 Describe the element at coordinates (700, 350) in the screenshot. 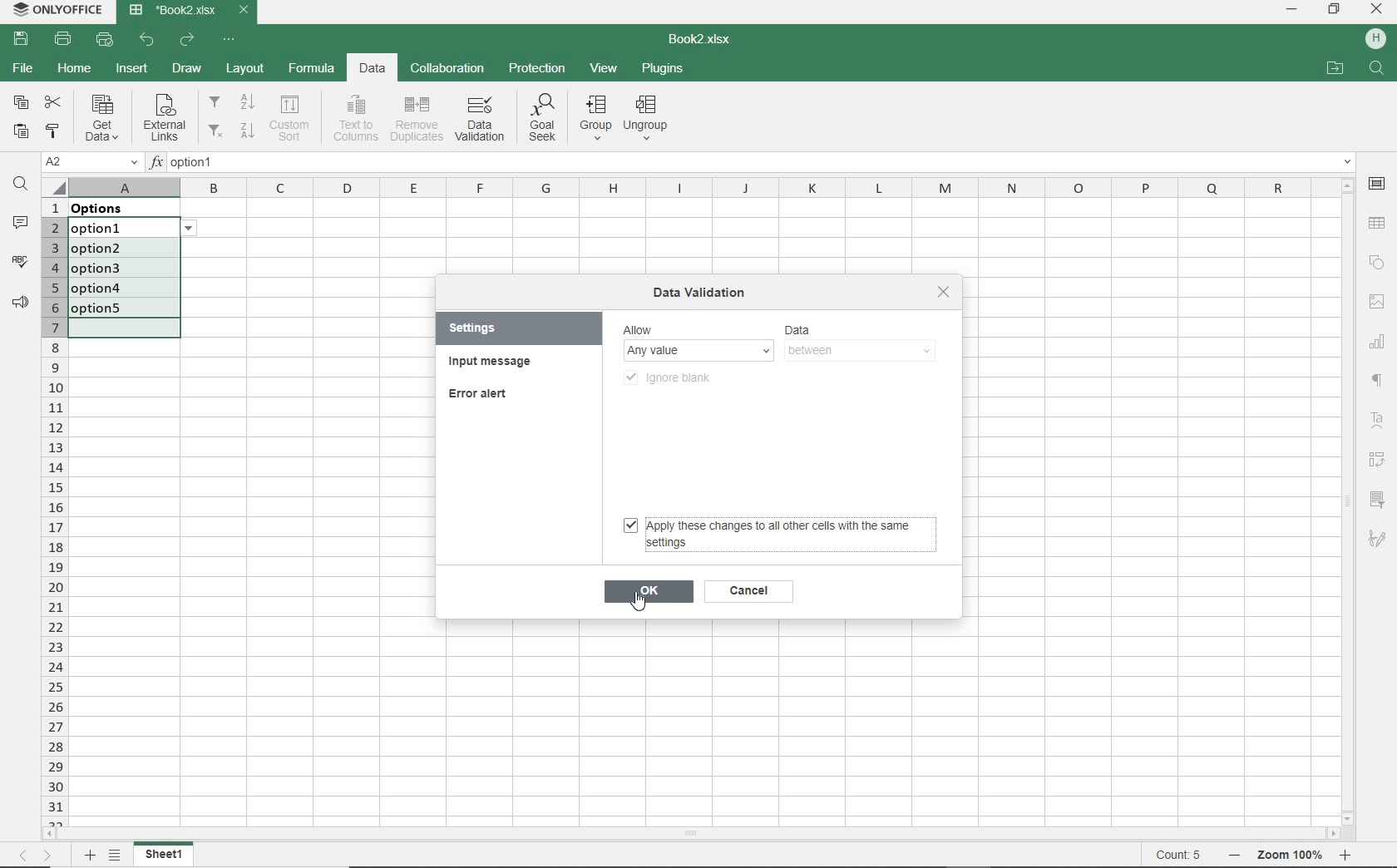

I see `ay value` at that location.